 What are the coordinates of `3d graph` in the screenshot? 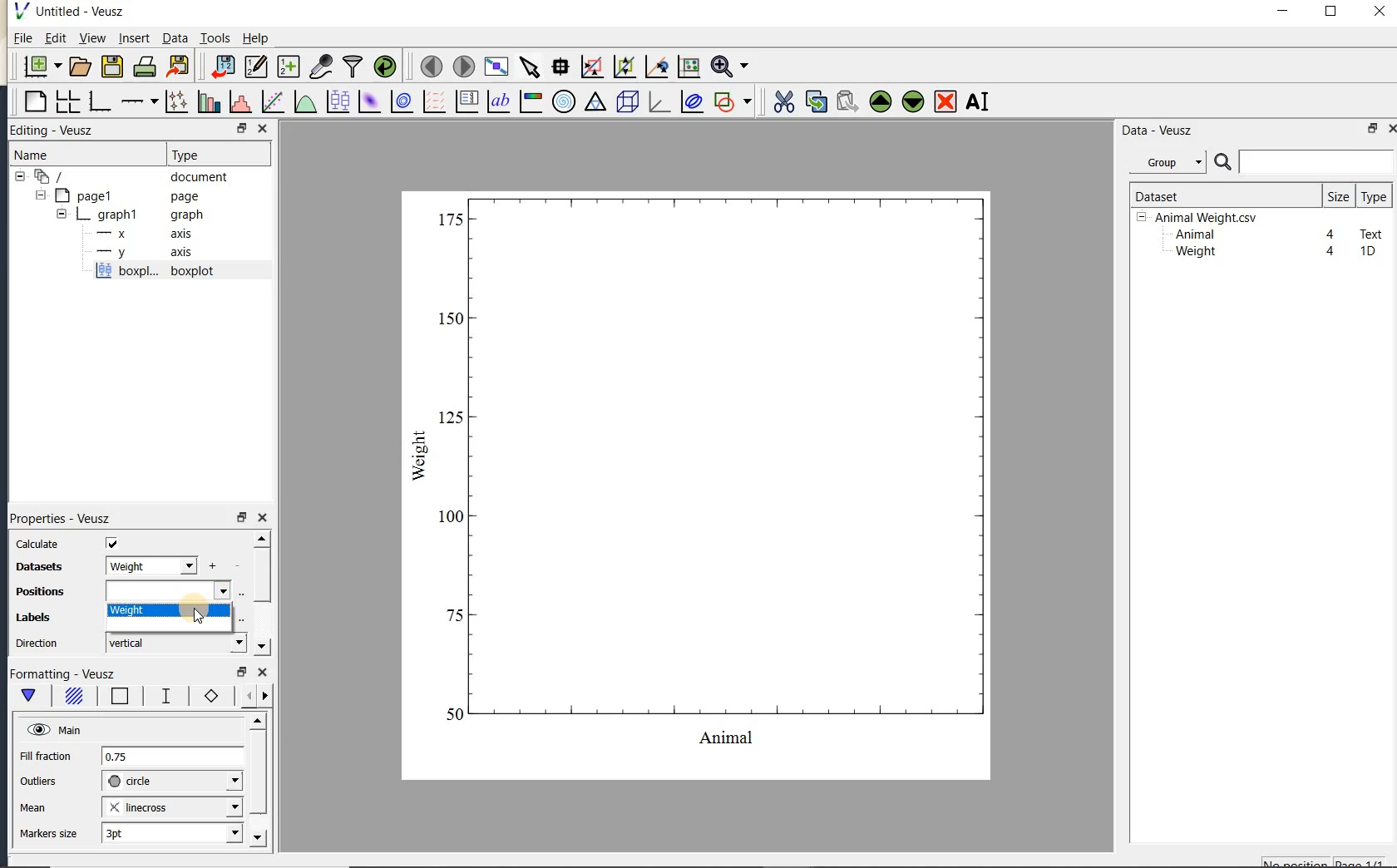 It's located at (657, 101).